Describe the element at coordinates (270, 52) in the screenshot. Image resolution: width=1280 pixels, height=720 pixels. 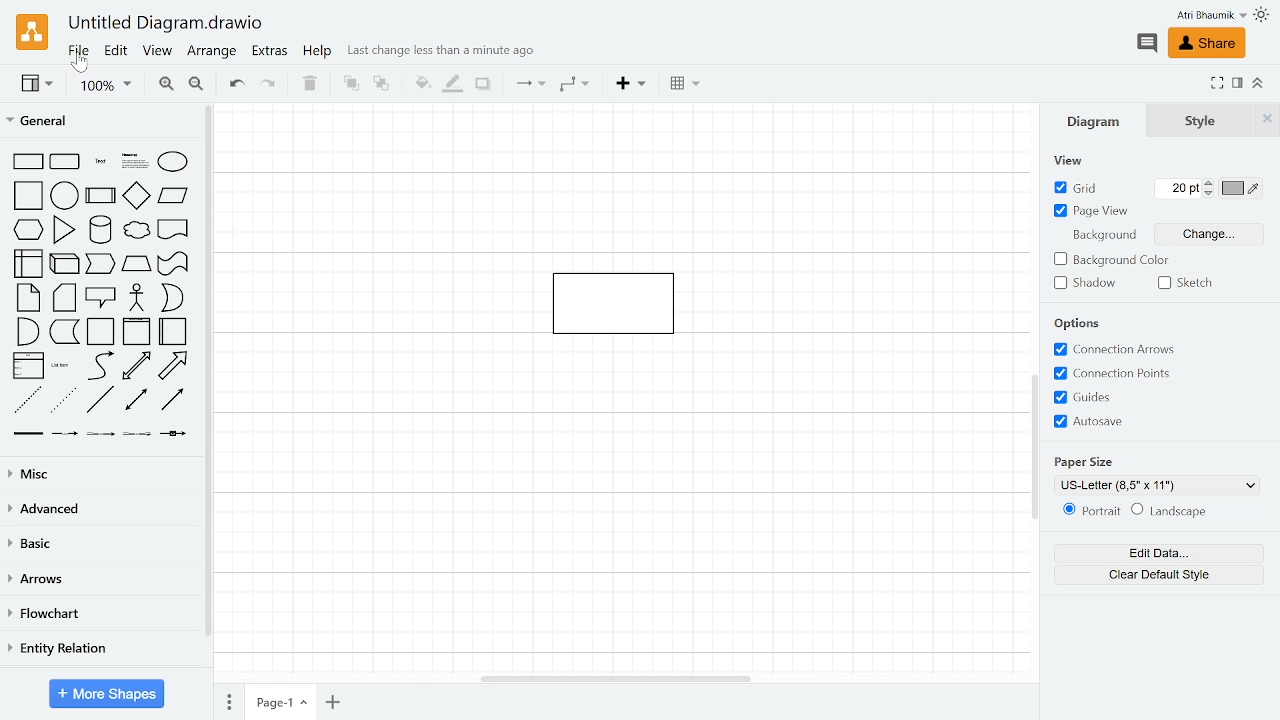
I see `Extras` at that location.